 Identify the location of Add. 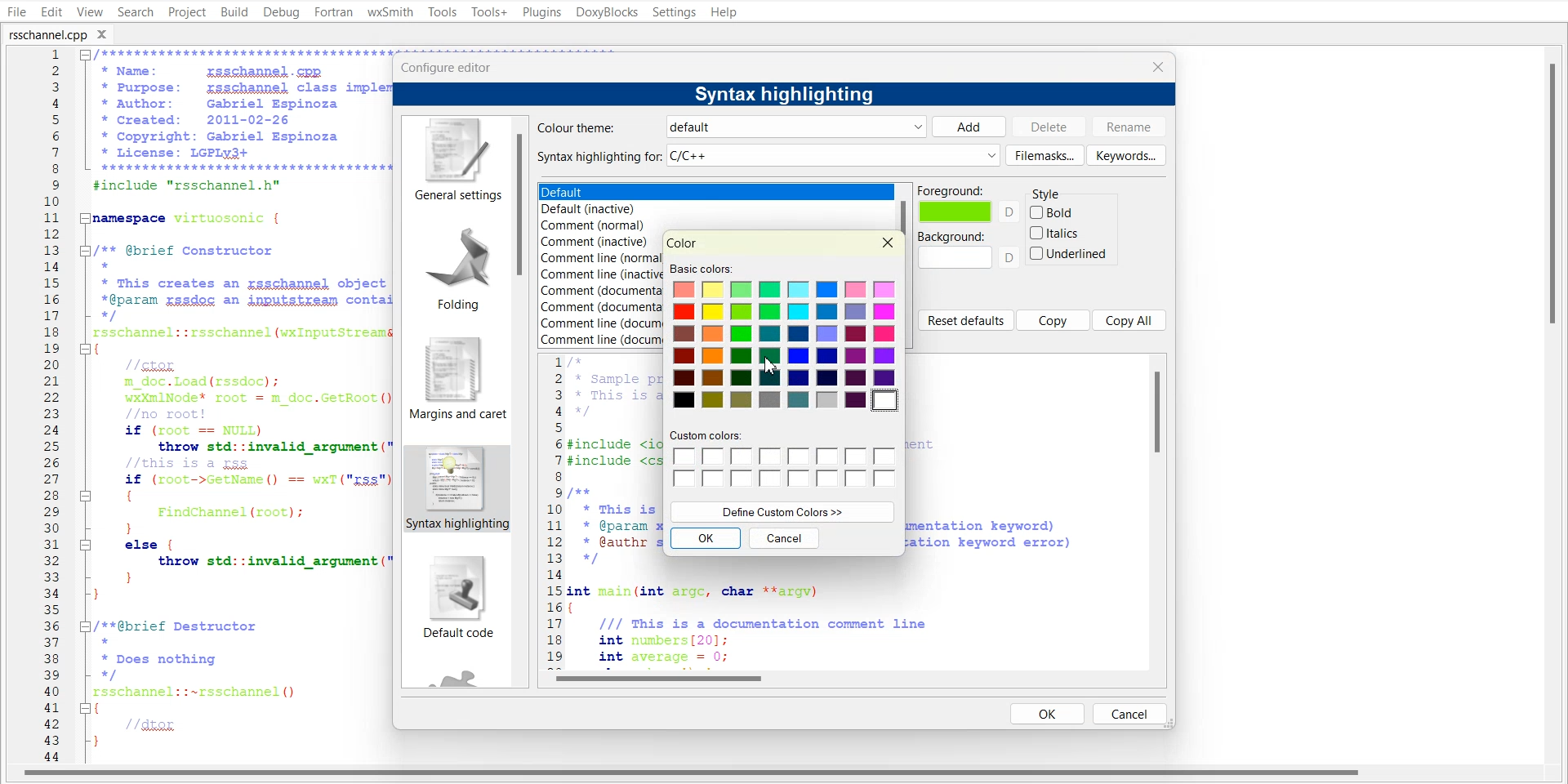
(969, 127).